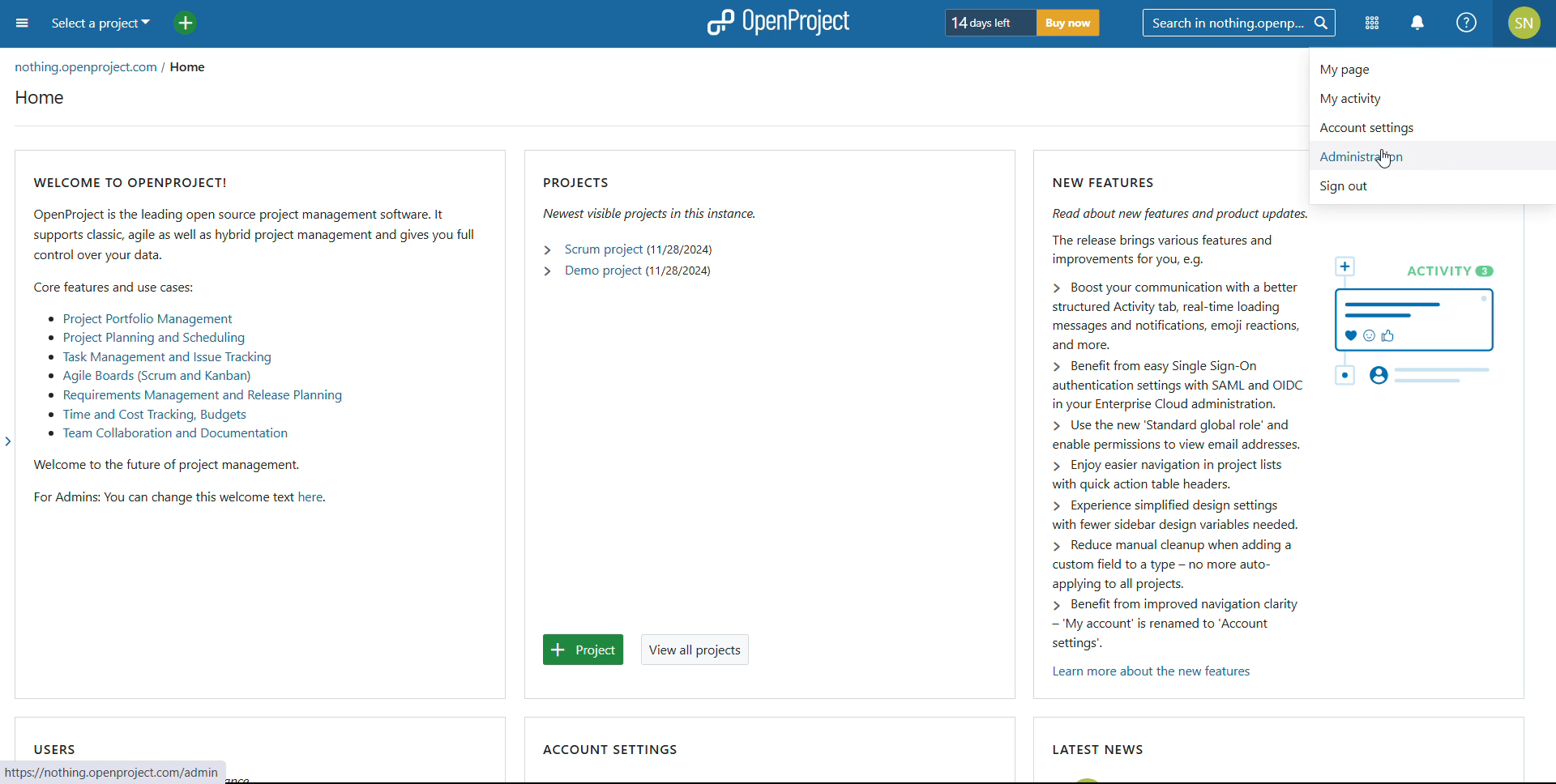 The height and width of the screenshot is (784, 1556). What do you see at coordinates (22, 23) in the screenshot?
I see `open sidebar menu` at bounding box center [22, 23].